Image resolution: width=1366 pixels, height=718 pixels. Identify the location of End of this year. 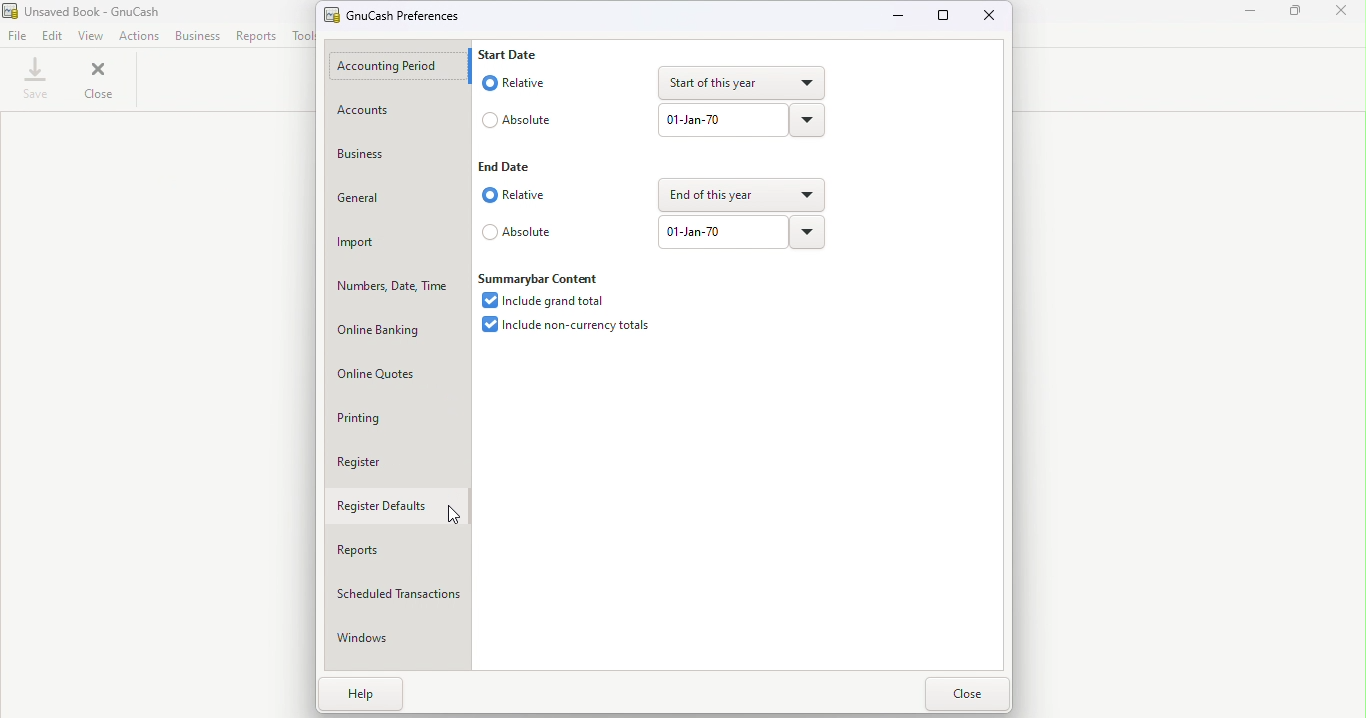
(740, 193).